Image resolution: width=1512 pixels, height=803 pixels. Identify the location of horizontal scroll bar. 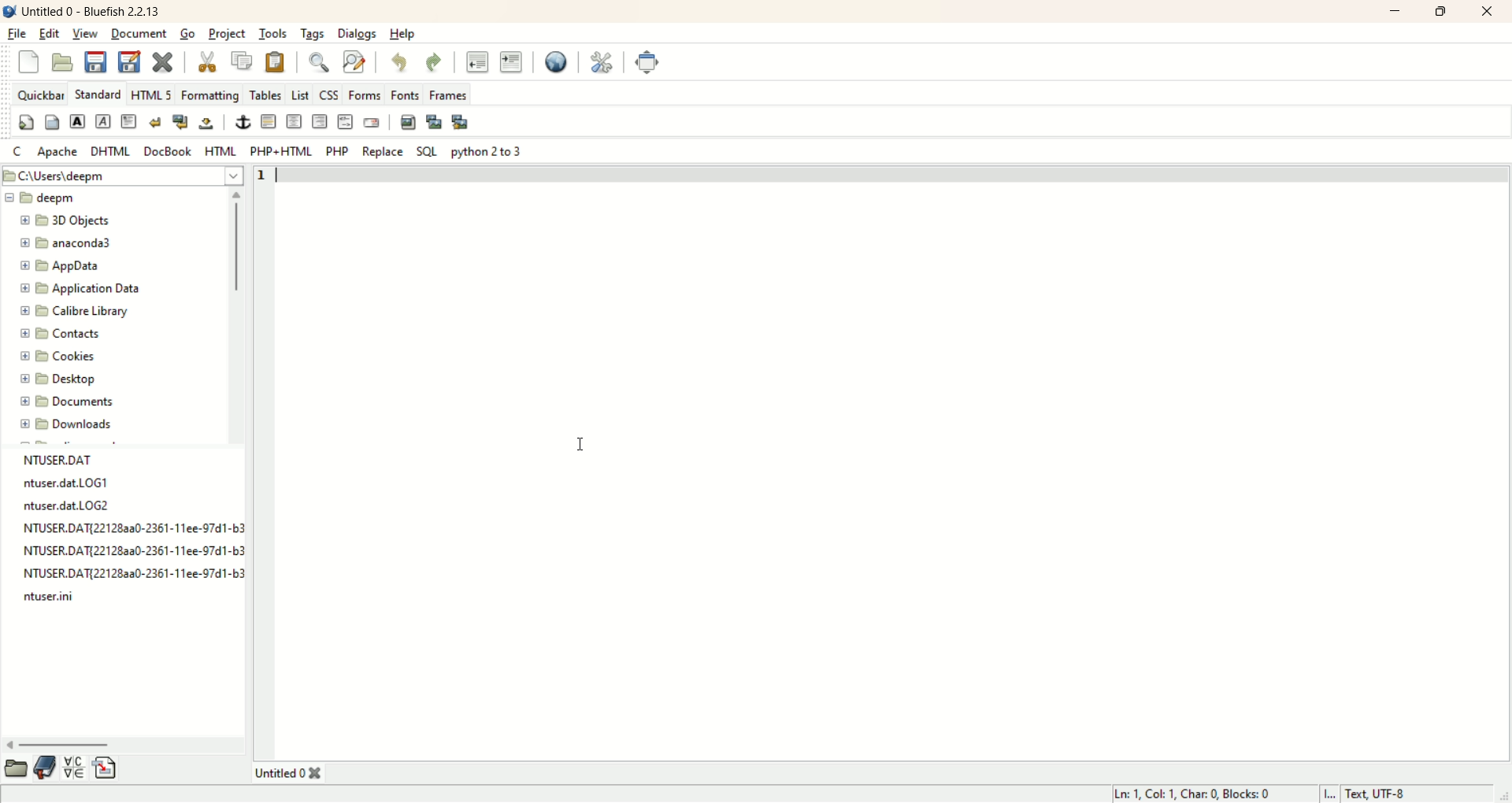
(126, 744).